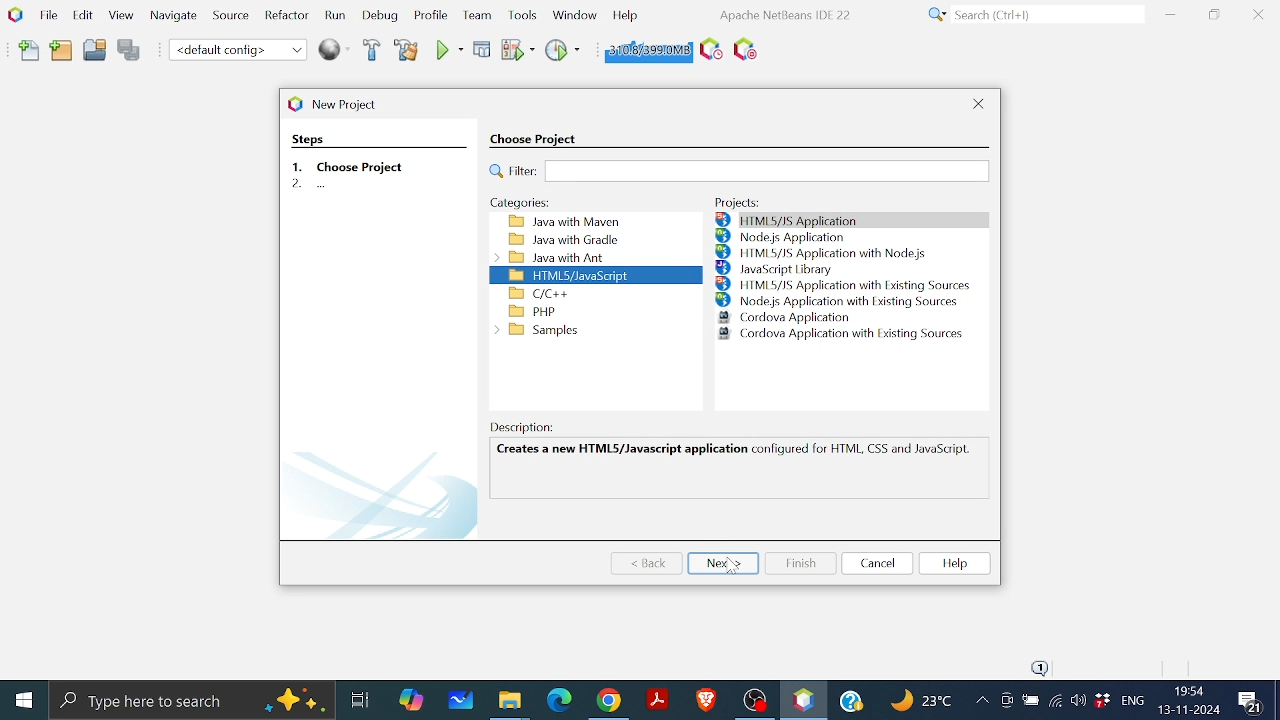 This screenshot has width=1280, height=720. I want to click on volume, so click(1077, 701).